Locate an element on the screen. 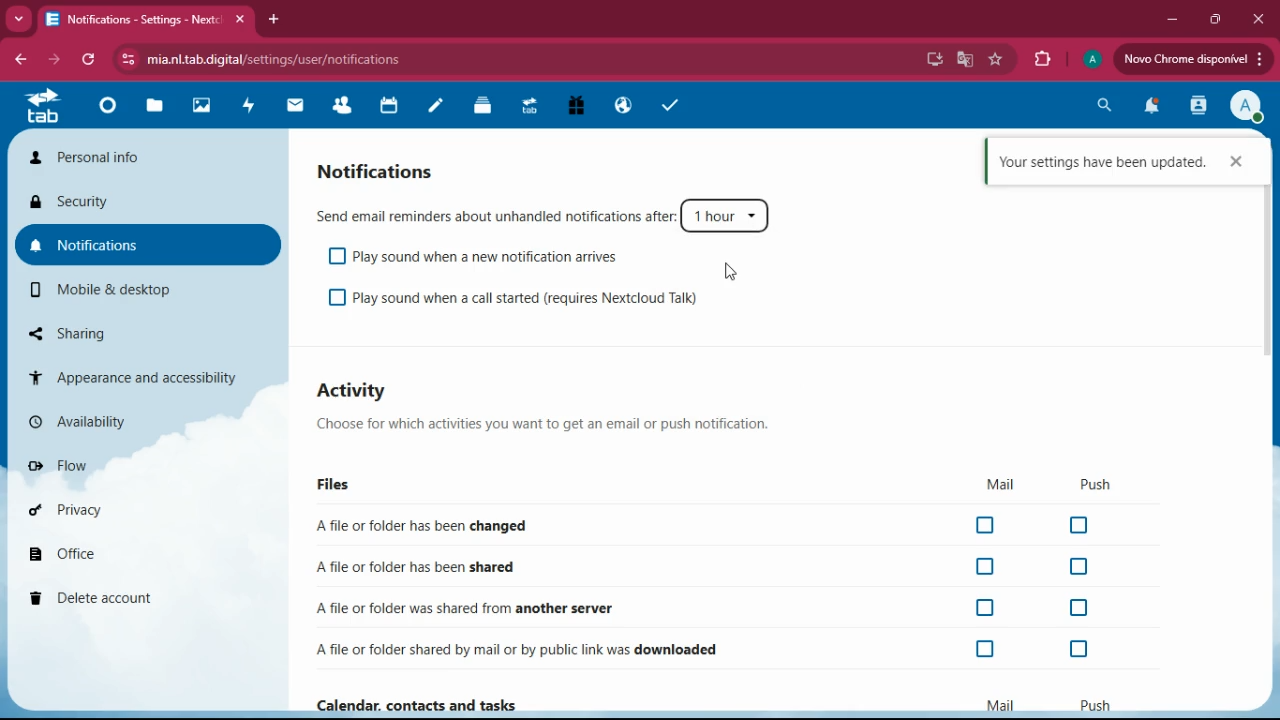  notes is located at coordinates (434, 111).